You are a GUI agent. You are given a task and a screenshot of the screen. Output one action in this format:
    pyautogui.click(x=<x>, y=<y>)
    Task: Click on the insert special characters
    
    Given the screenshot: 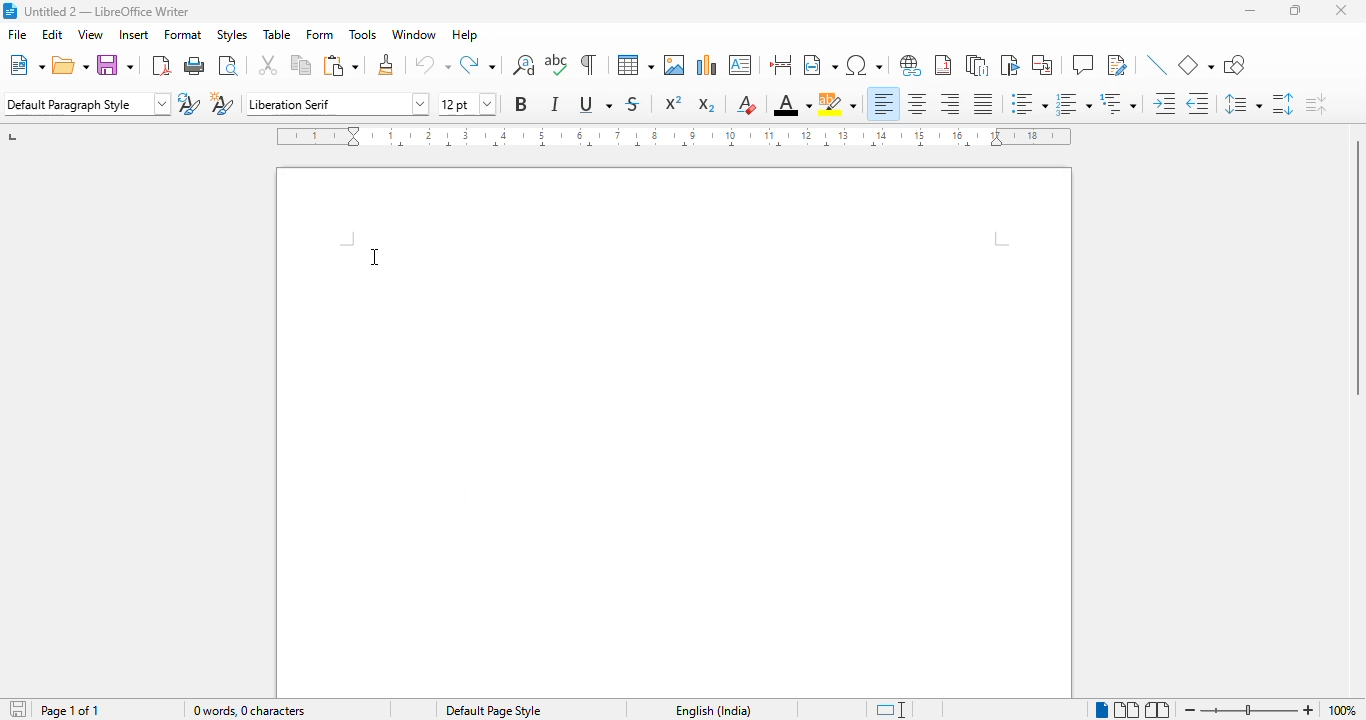 What is the action you would take?
    pyautogui.click(x=863, y=65)
    